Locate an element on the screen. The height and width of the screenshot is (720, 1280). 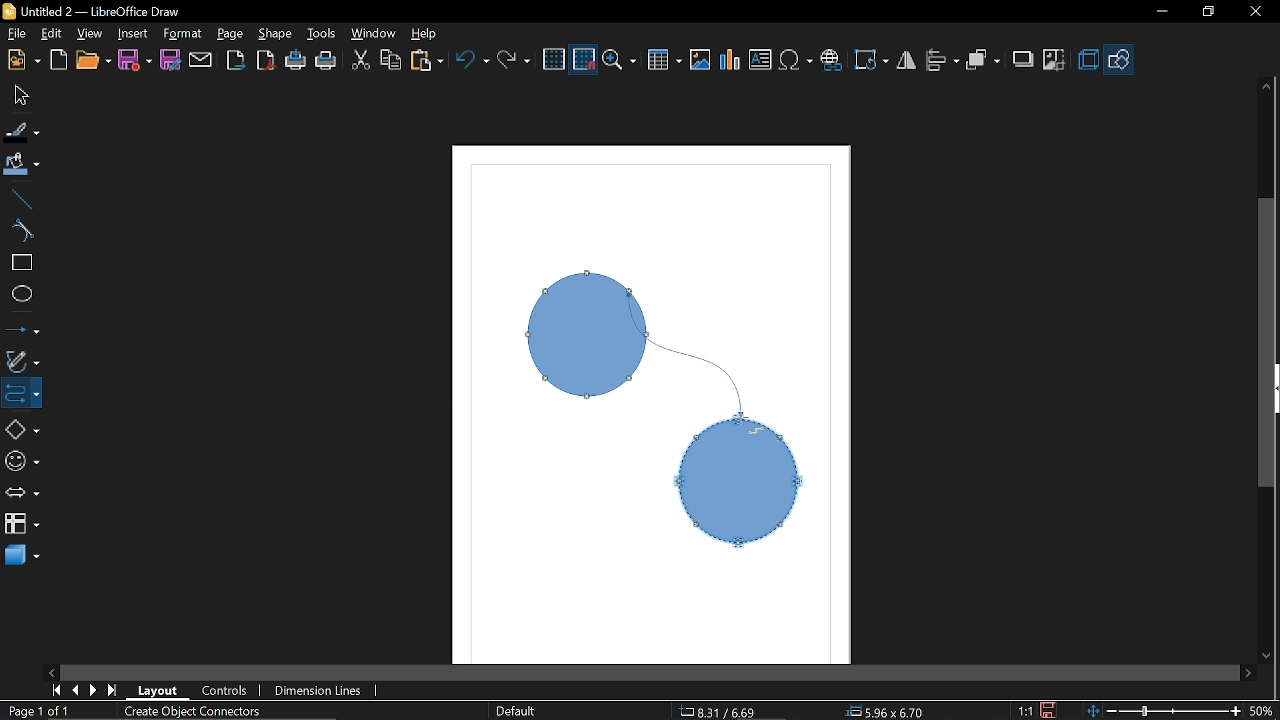
Tools is located at coordinates (323, 35).